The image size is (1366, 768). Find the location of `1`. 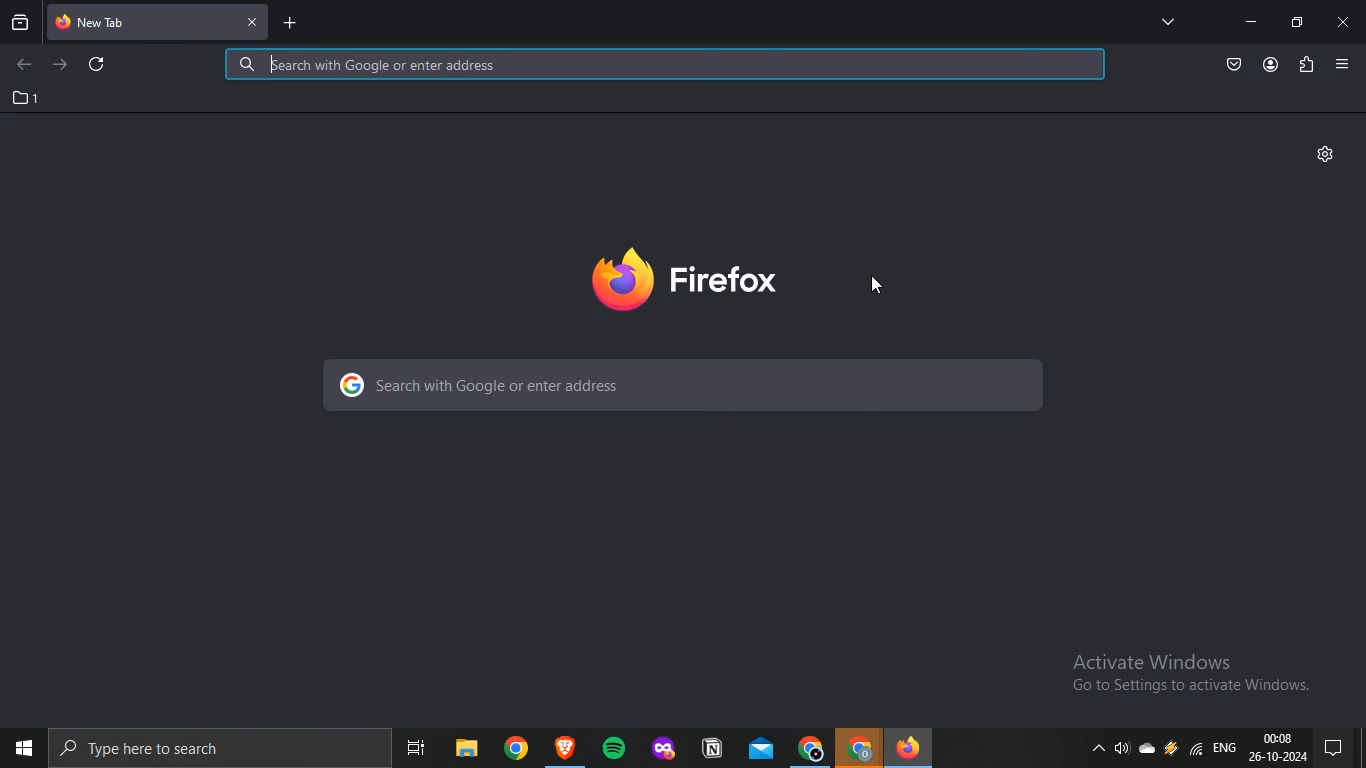

1 is located at coordinates (27, 98).